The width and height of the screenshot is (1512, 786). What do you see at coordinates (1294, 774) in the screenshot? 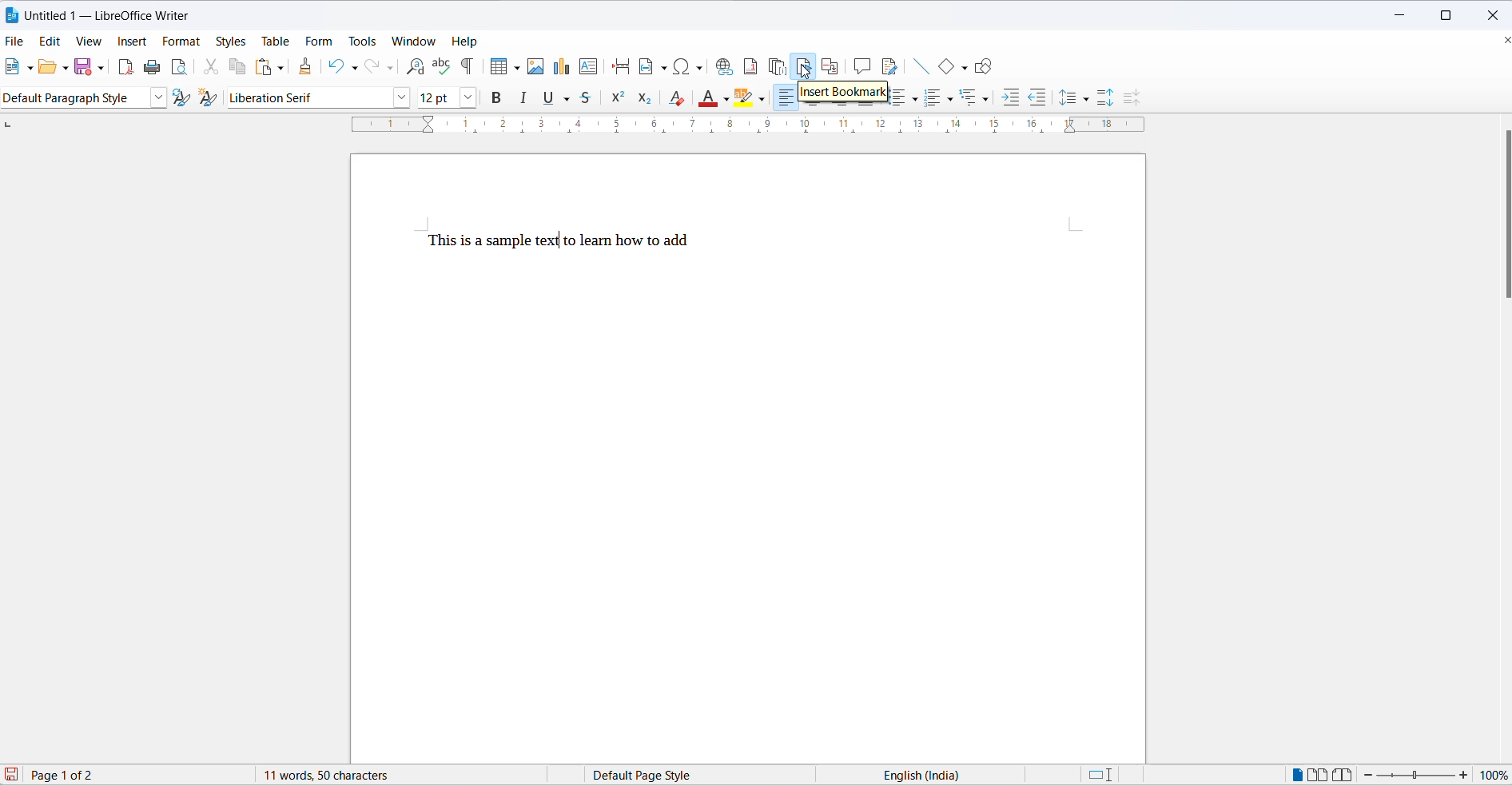
I see `single page view` at bounding box center [1294, 774].